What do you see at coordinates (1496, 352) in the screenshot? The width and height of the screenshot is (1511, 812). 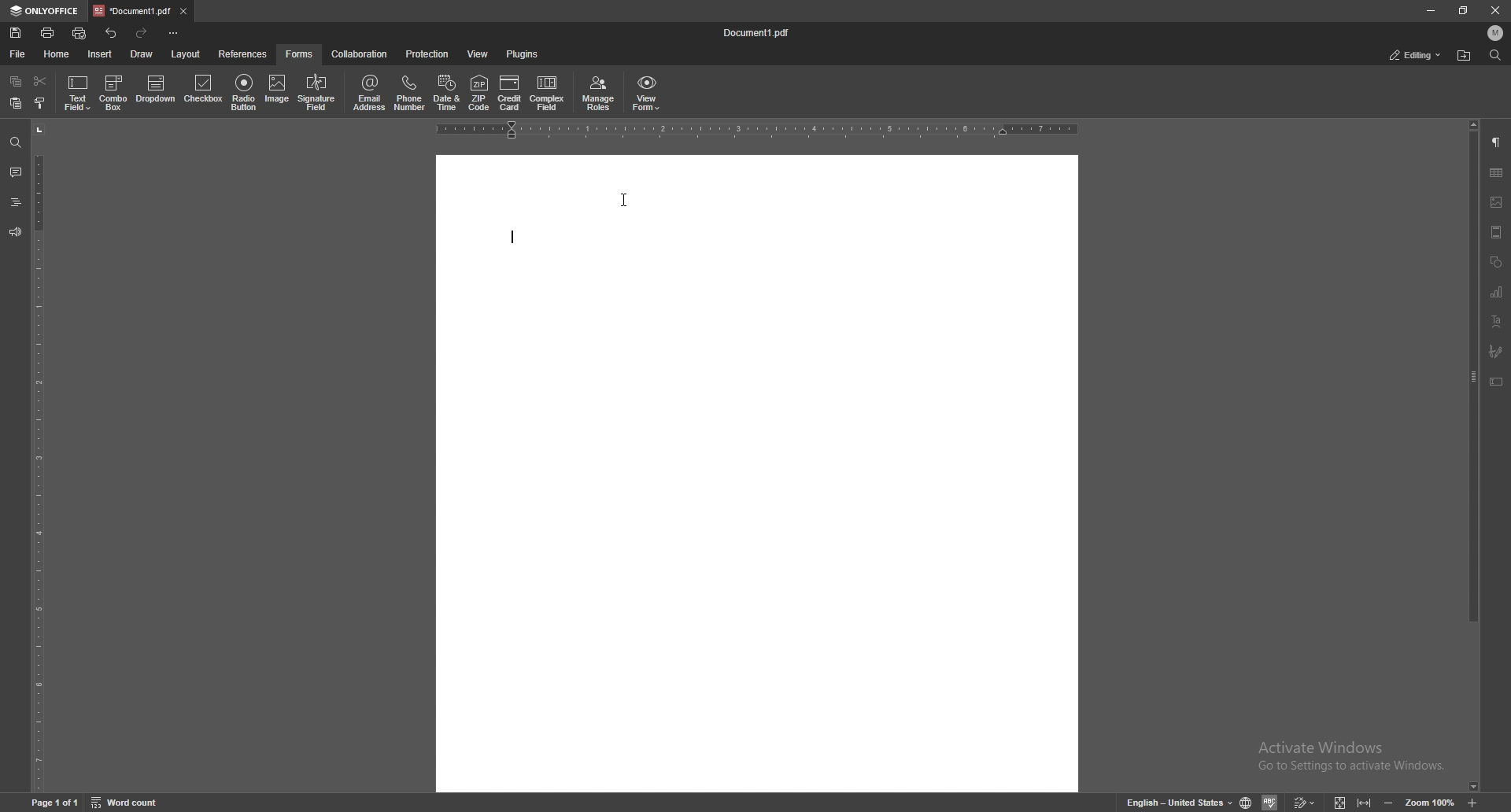 I see `signature field` at bounding box center [1496, 352].